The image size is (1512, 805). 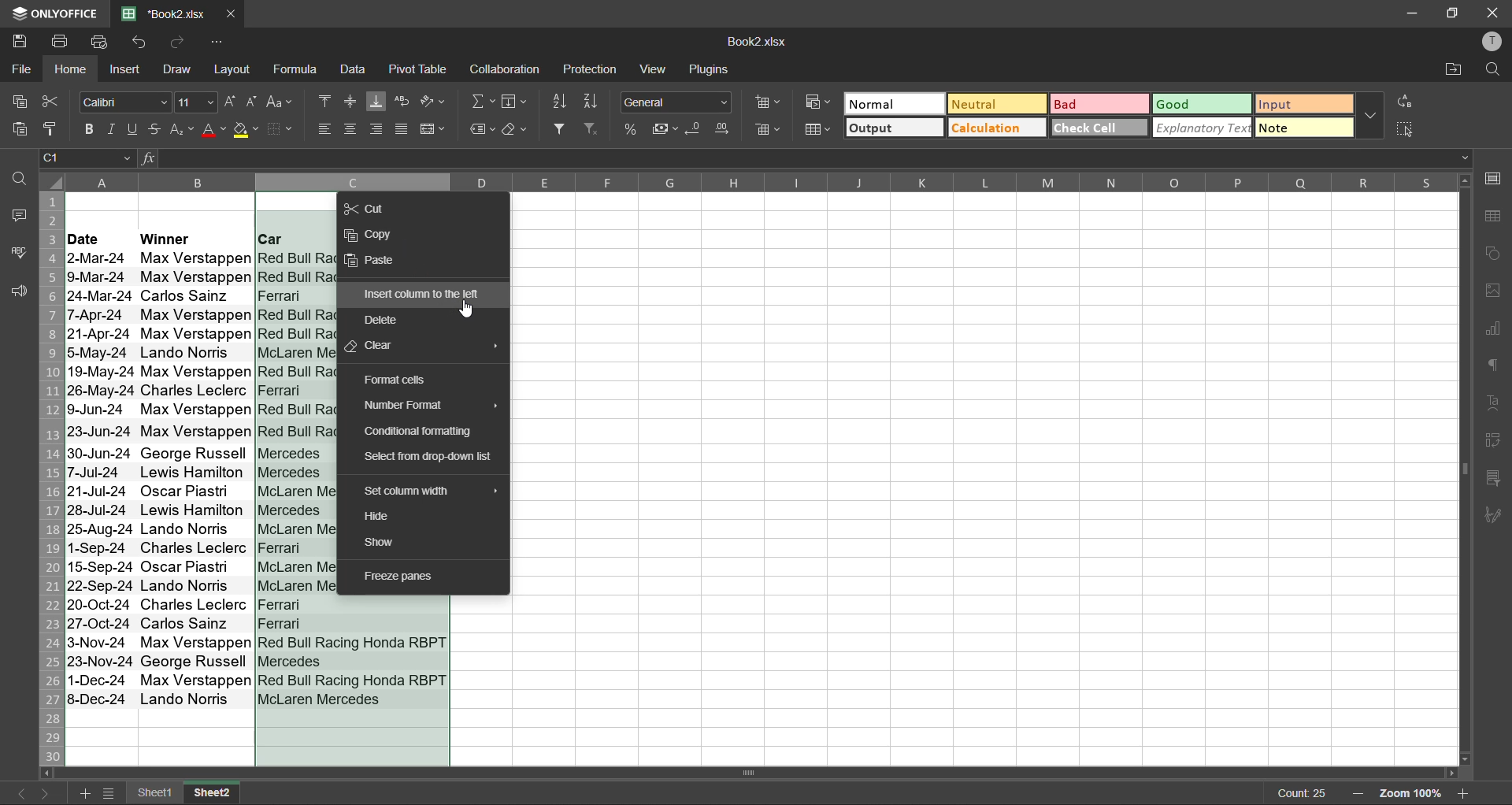 What do you see at coordinates (321, 129) in the screenshot?
I see `align left` at bounding box center [321, 129].